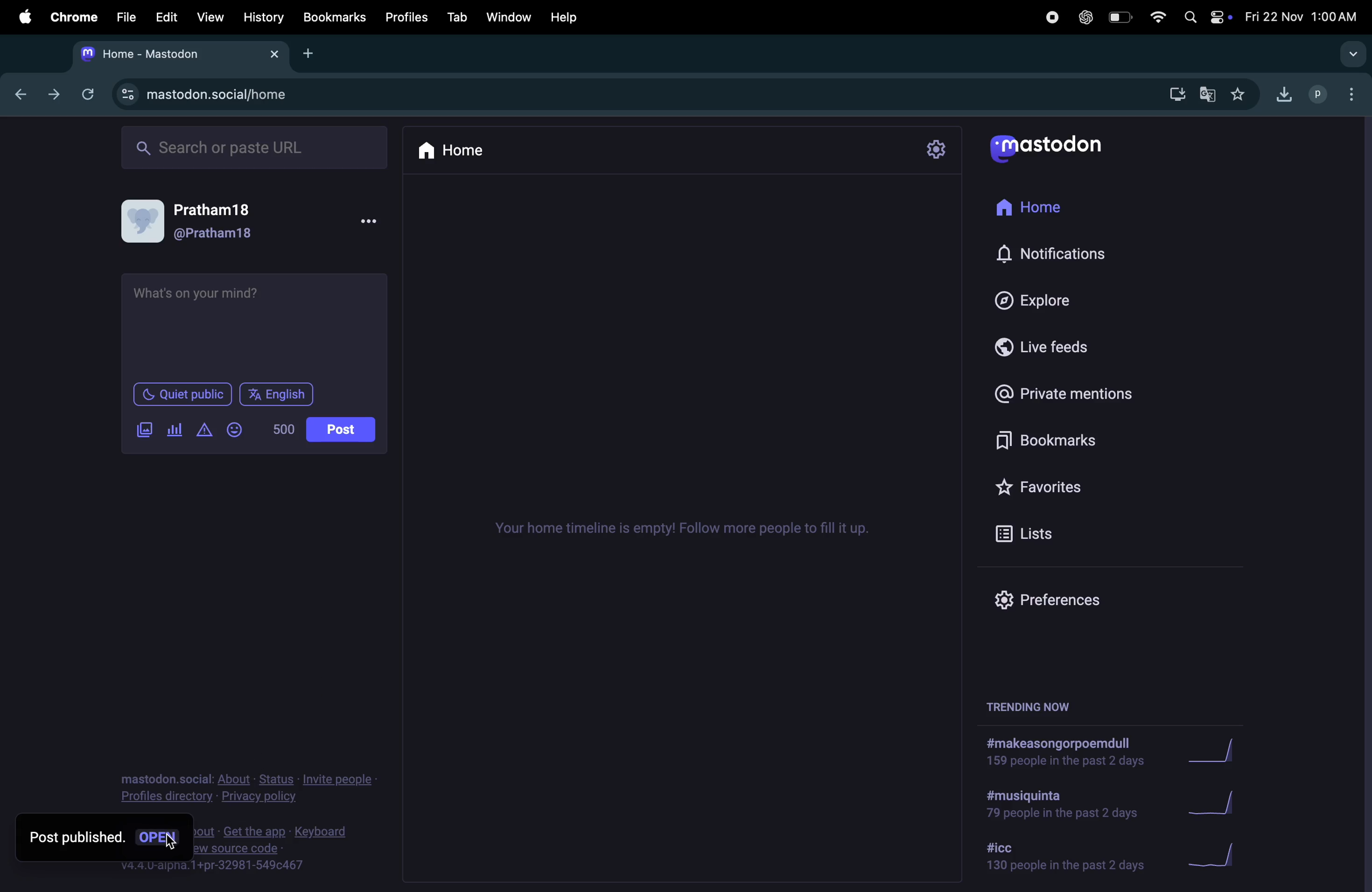 The image size is (1372, 892). I want to click on file, so click(122, 18).